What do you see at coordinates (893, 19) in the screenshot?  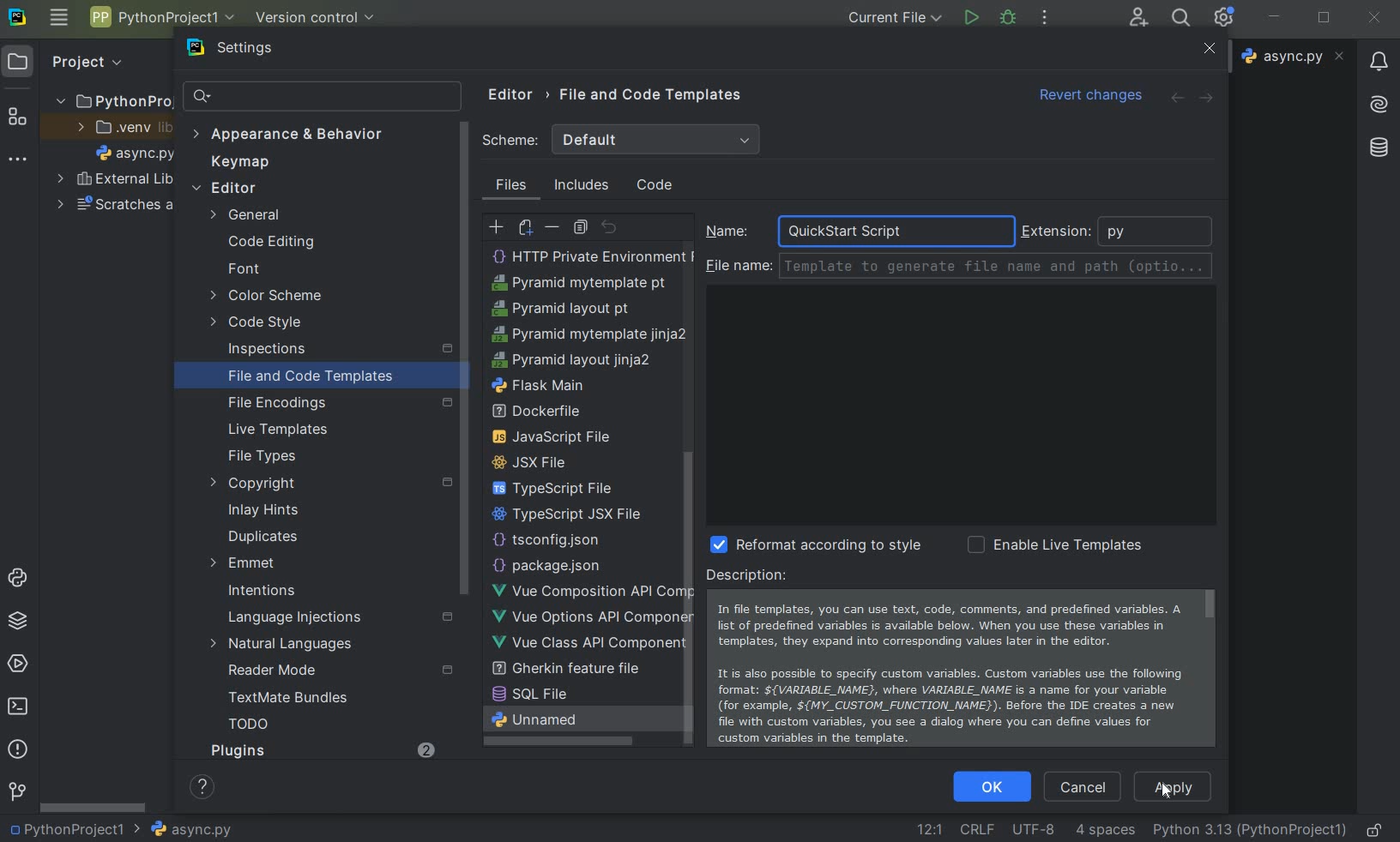 I see `current file` at bounding box center [893, 19].